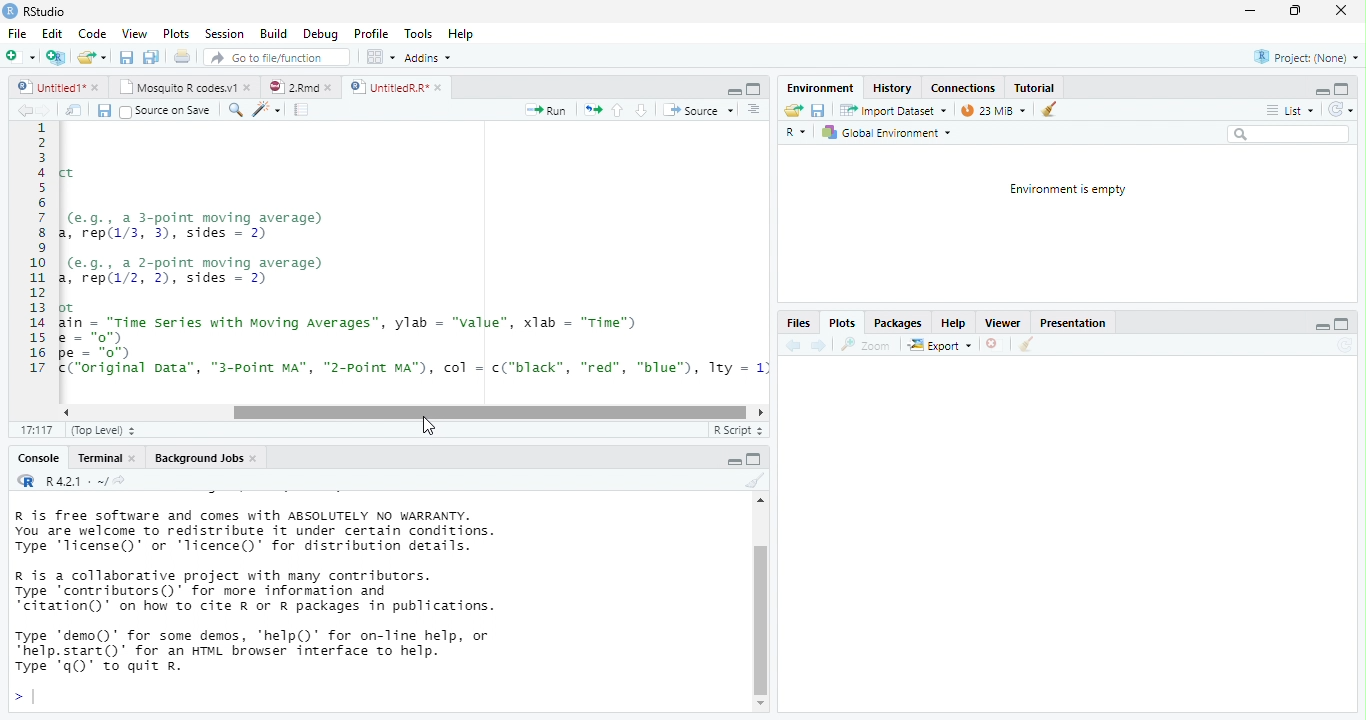 Image resolution: width=1366 pixels, height=720 pixels. I want to click on search, so click(233, 110).